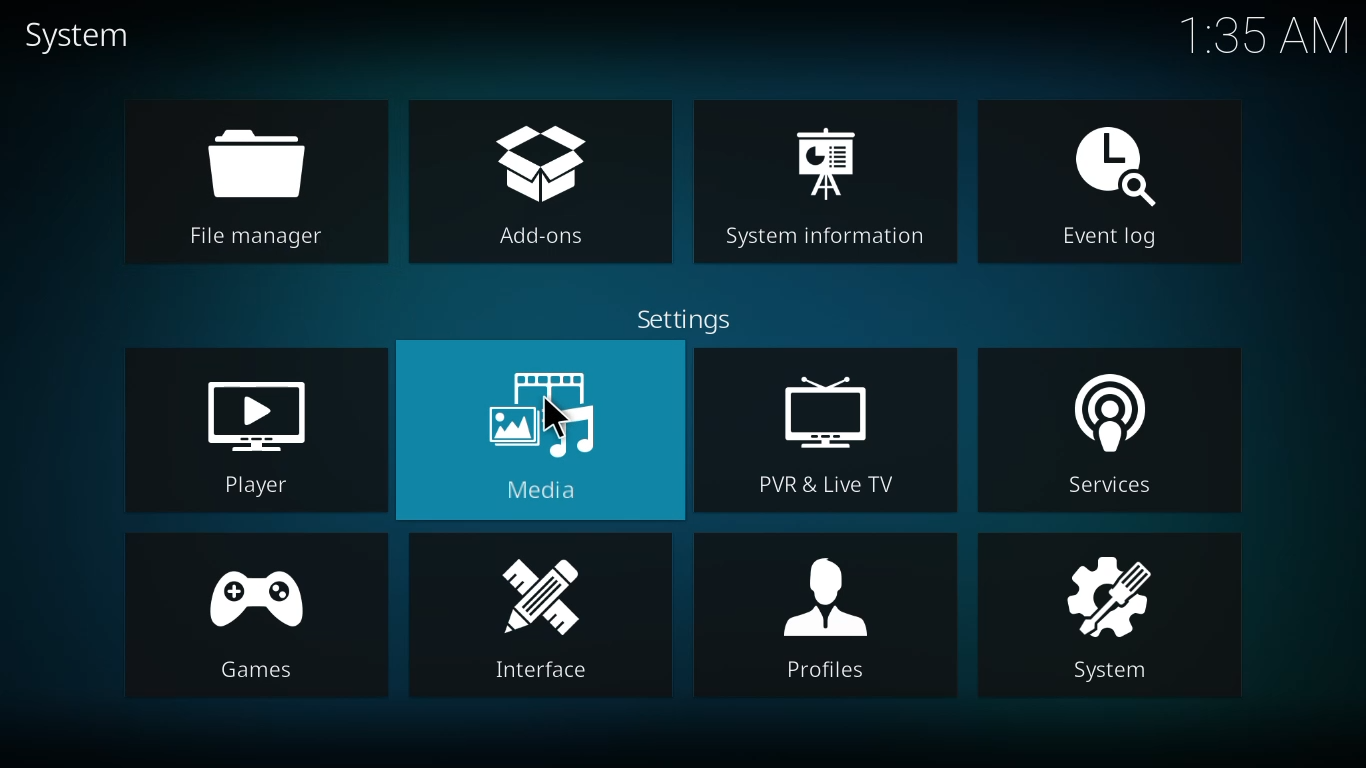 The image size is (1366, 768). What do you see at coordinates (255, 180) in the screenshot?
I see `file manager` at bounding box center [255, 180].